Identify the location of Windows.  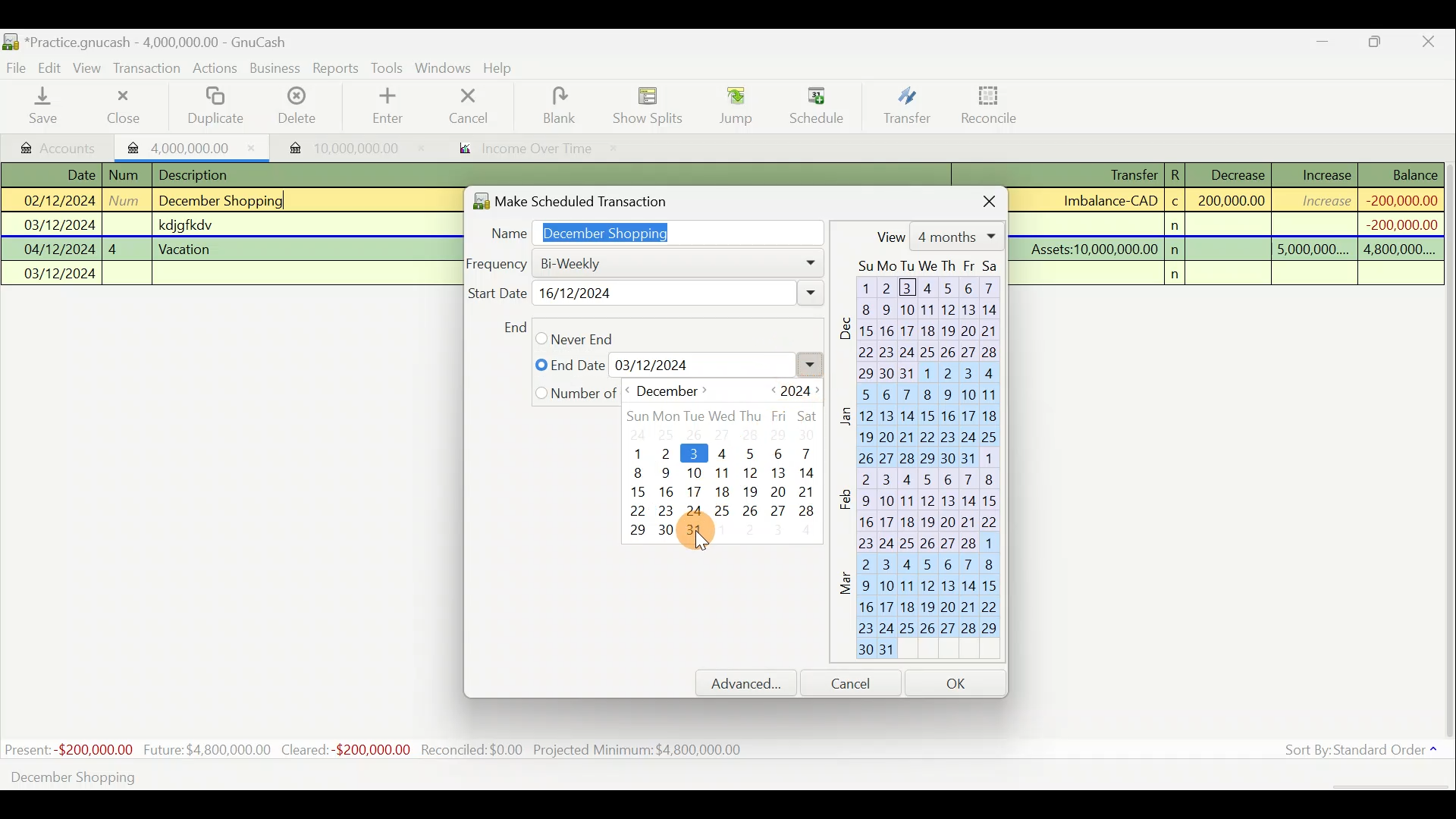
(445, 69).